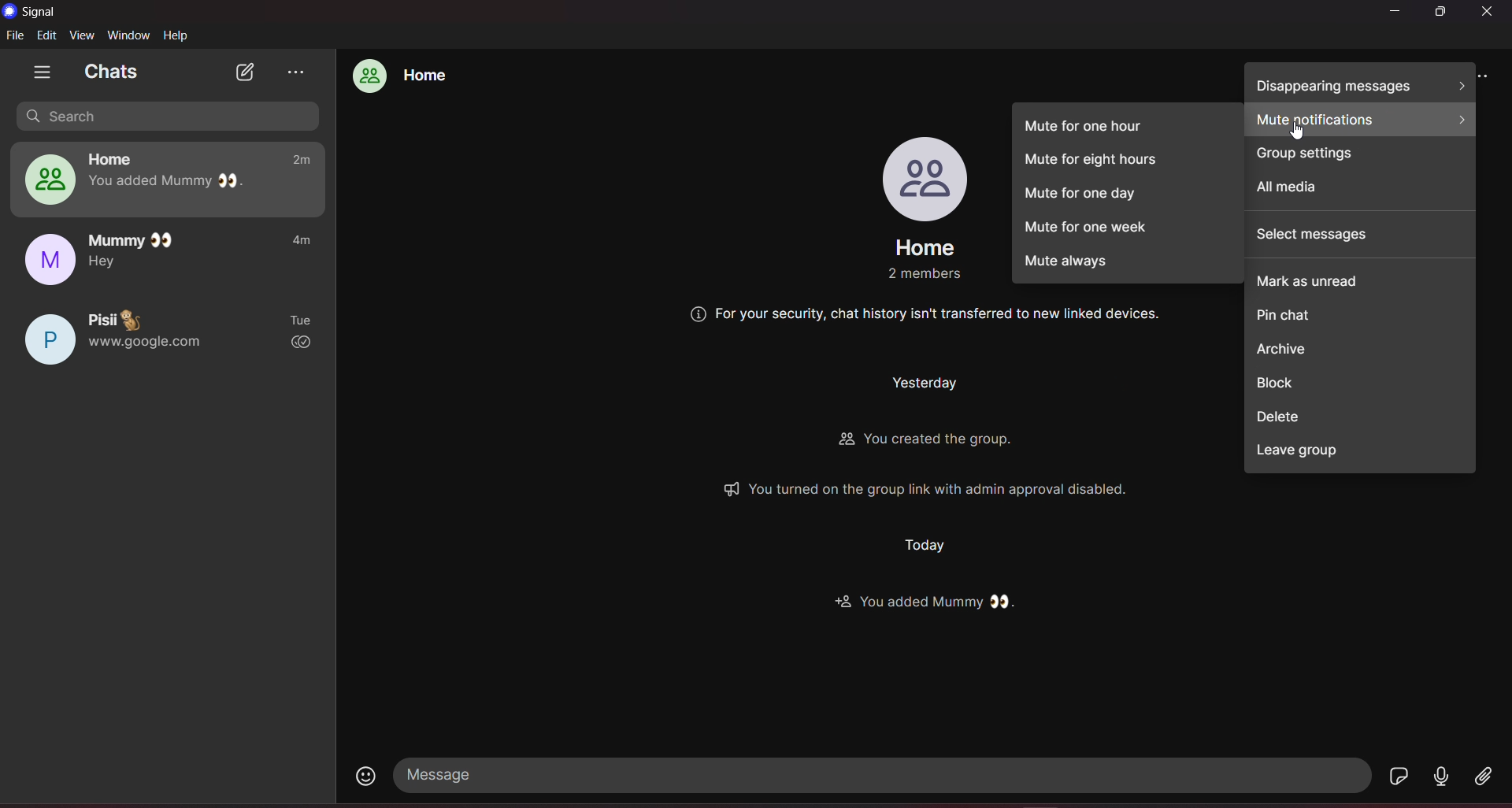  What do you see at coordinates (923, 176) in the screenshot?
I see `profile` at bounding box center [923, 176].